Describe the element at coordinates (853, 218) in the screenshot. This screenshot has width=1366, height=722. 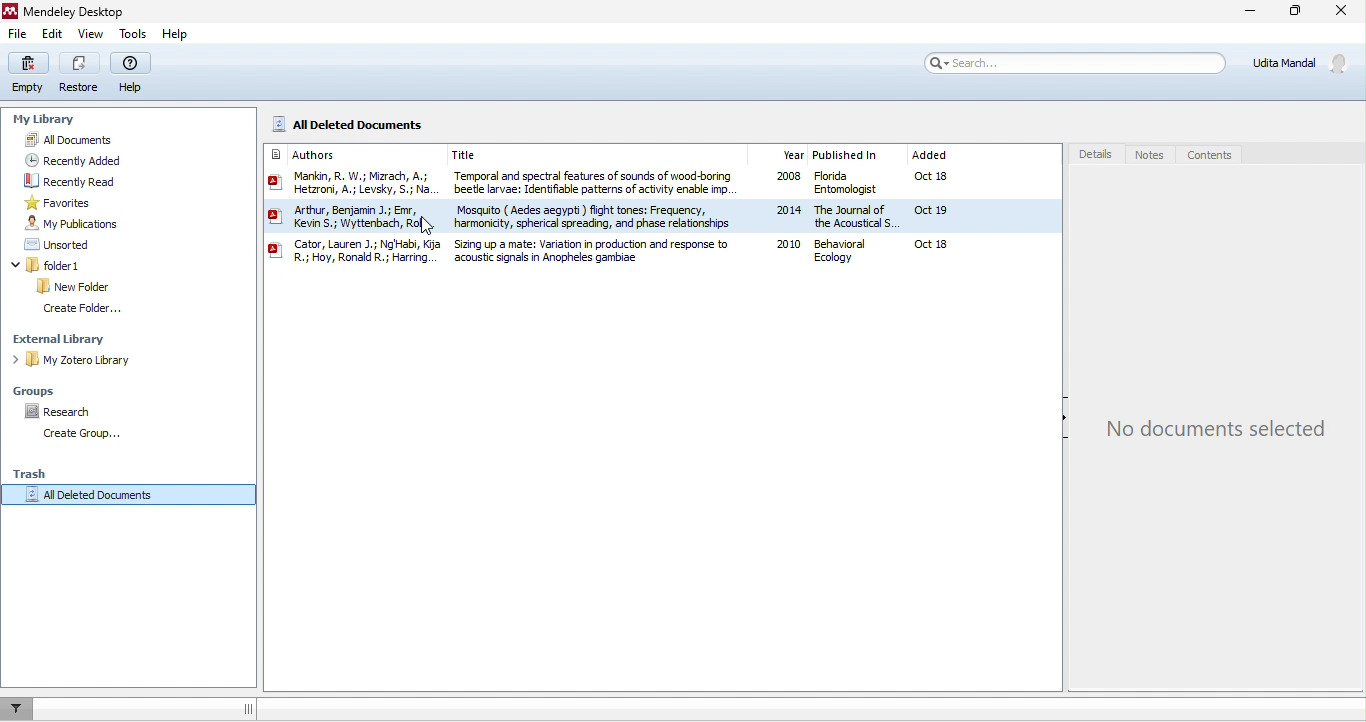
I see `3 Florida
Entomologist

4 The Journal of
the Acoustical

) Behavioral
Ecology` at that location.